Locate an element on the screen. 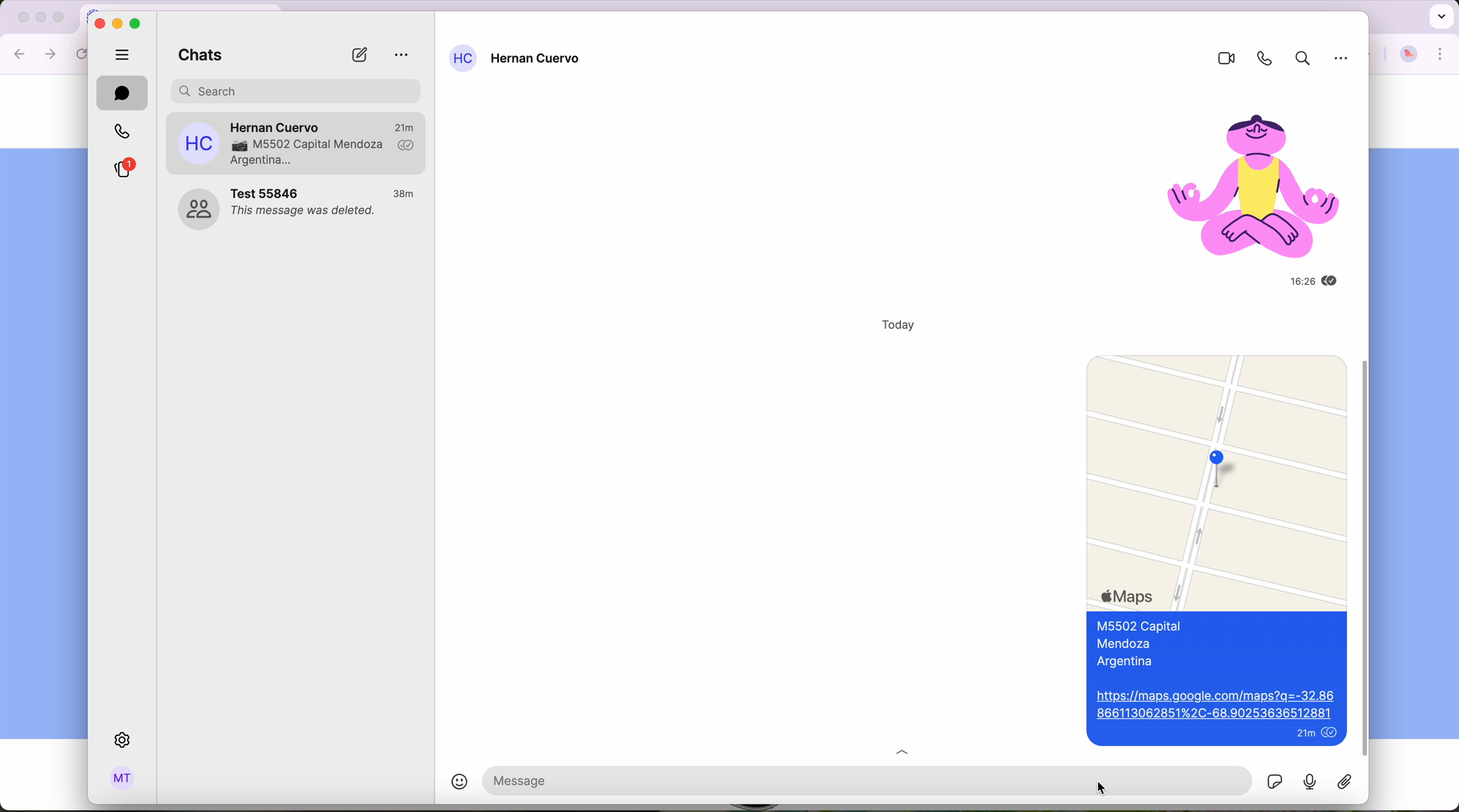  stickers is located at coordinates (1274, 780).